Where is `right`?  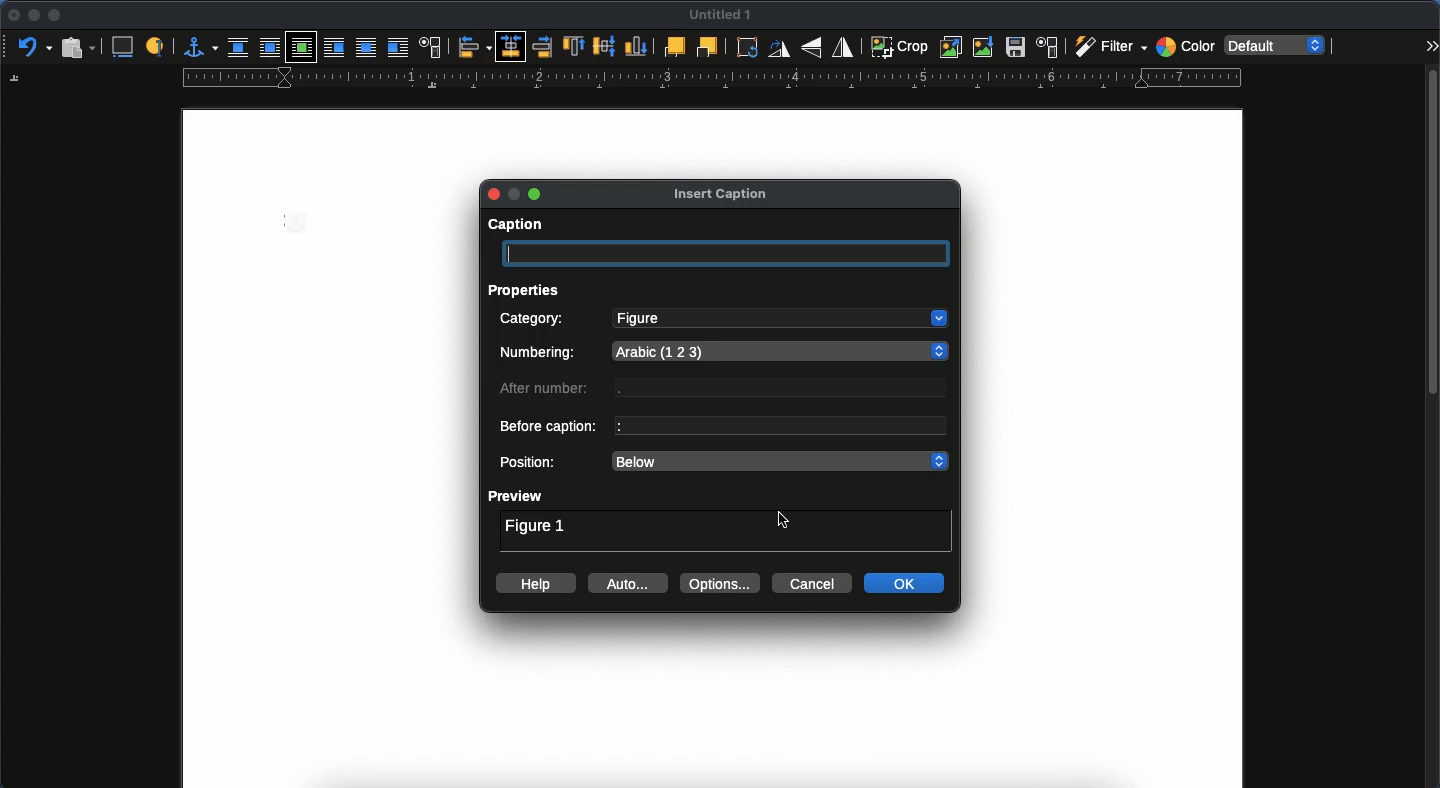
right is located at coordinates (538, 46).